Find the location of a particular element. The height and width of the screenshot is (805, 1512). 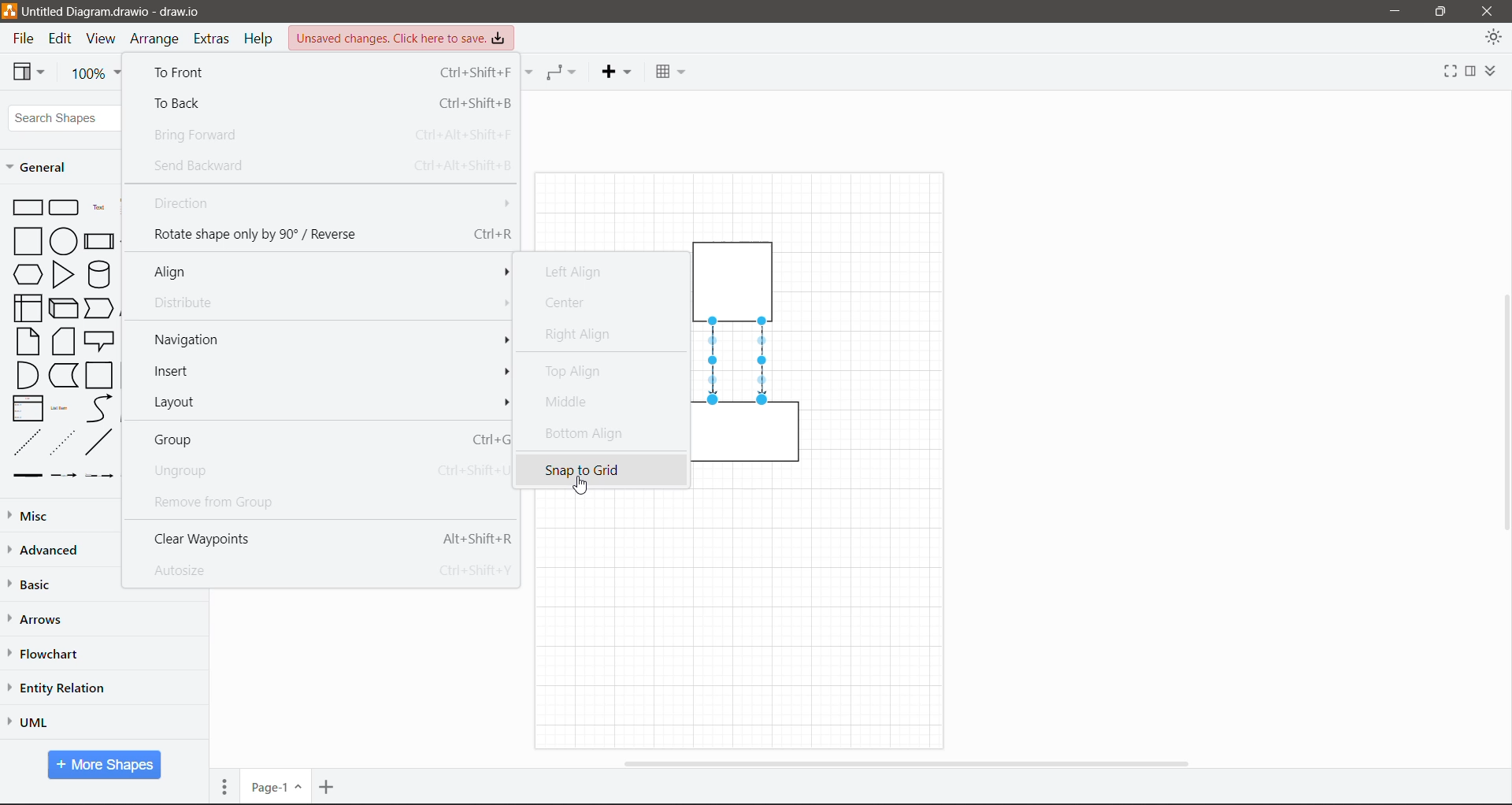

Bring Forward is located at coordinates (332, 137).